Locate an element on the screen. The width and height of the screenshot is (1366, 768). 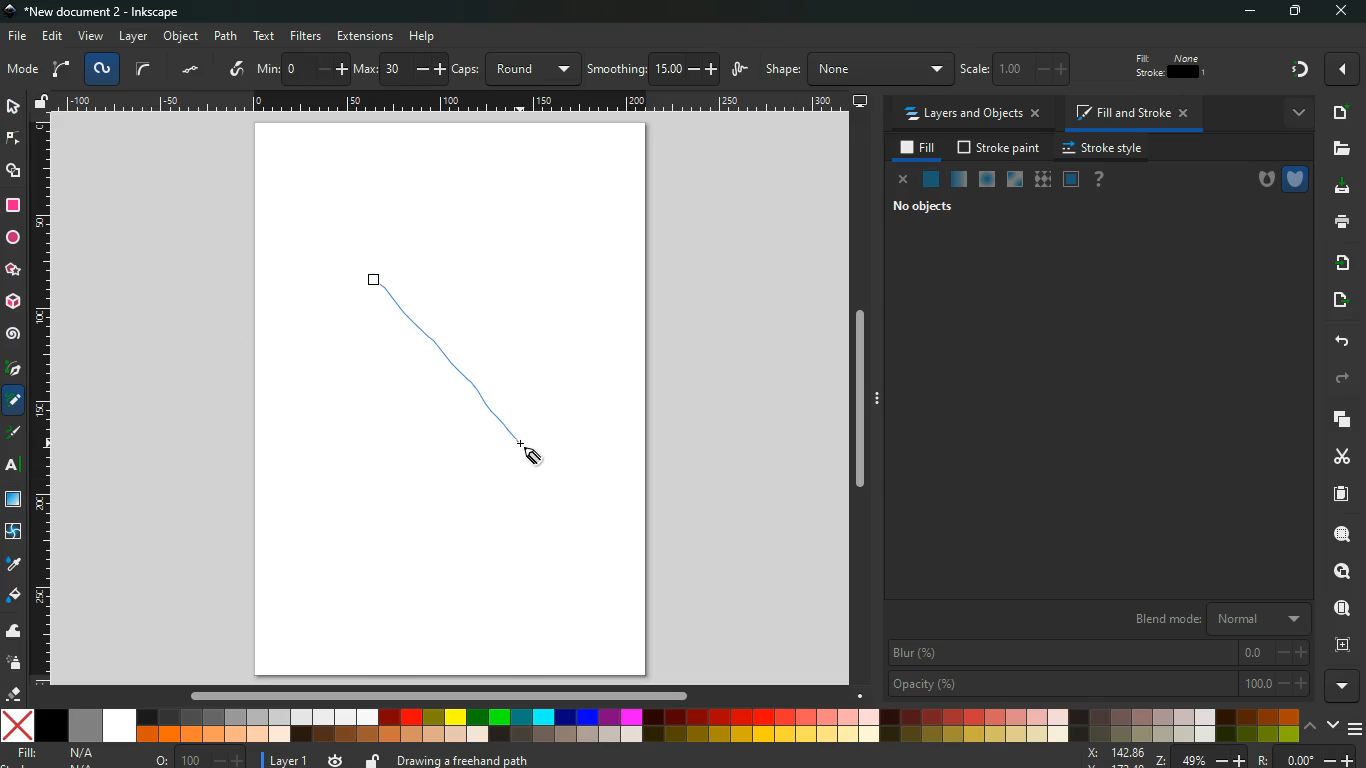
shield is located at coordinates (1295, 177).